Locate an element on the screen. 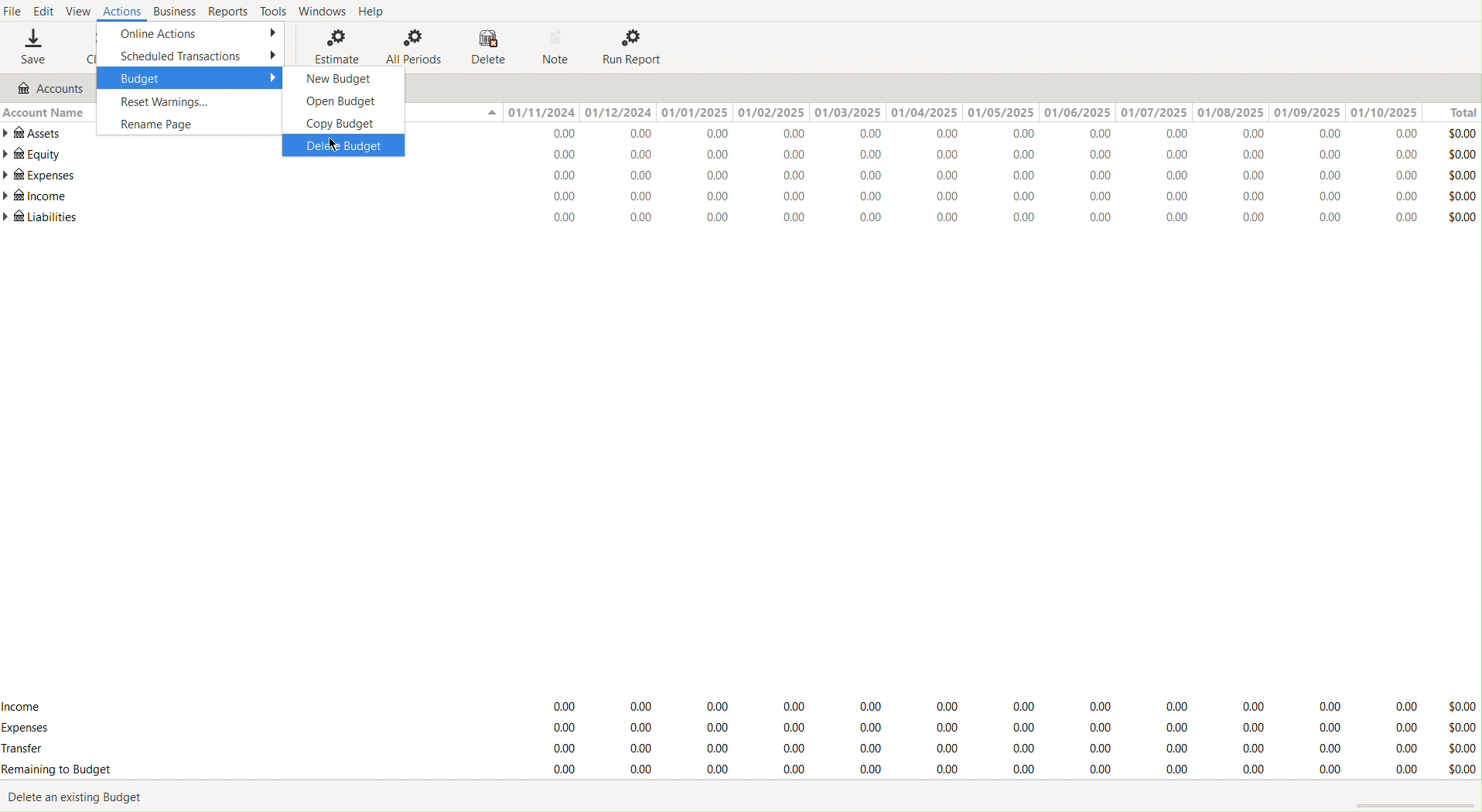 The height and width of the screenshot is (812, 1482). Assets Values is located at coordinates (983, 135).